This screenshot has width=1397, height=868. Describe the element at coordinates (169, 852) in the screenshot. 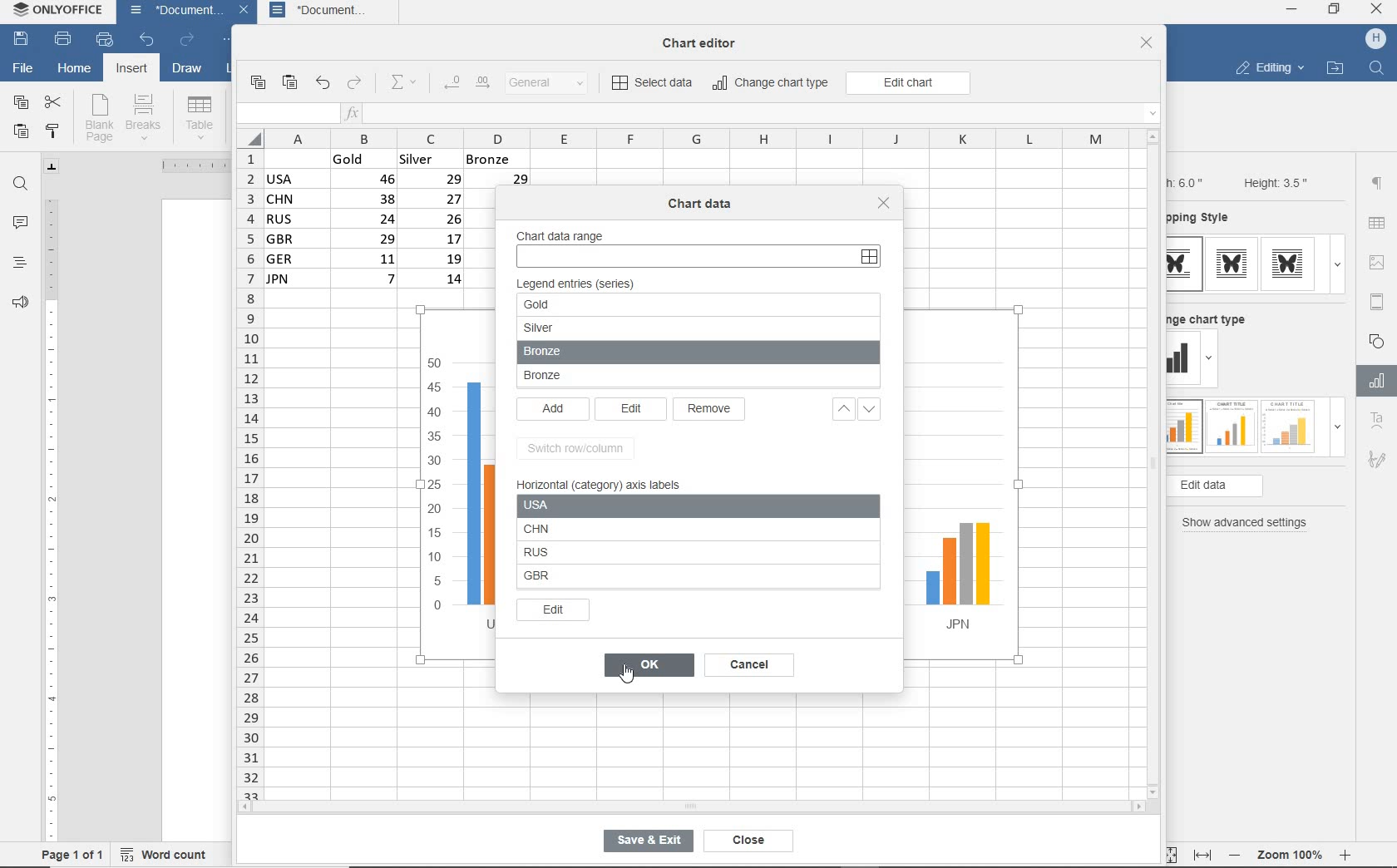

I see `word count` at that location.